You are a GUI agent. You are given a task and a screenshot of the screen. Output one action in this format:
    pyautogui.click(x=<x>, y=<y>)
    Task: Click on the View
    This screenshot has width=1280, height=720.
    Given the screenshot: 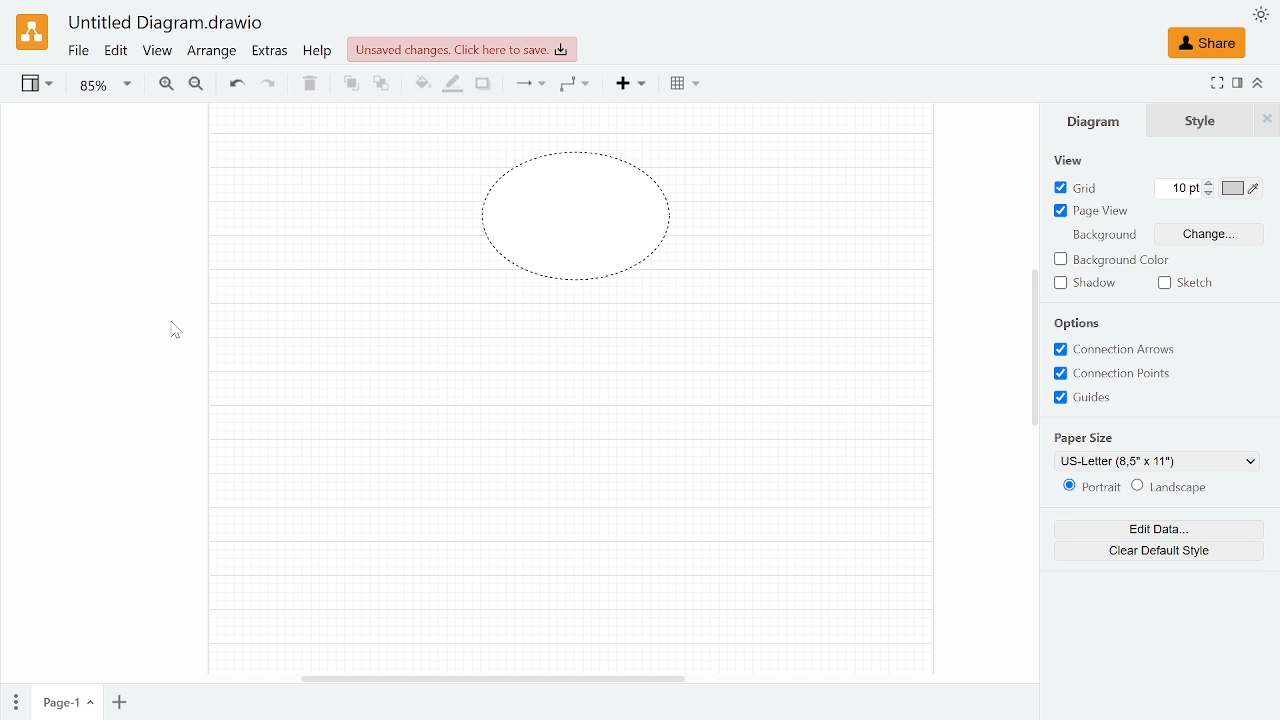 What is the action you would take?
    pyautogui.click(x=39, y=86)
    